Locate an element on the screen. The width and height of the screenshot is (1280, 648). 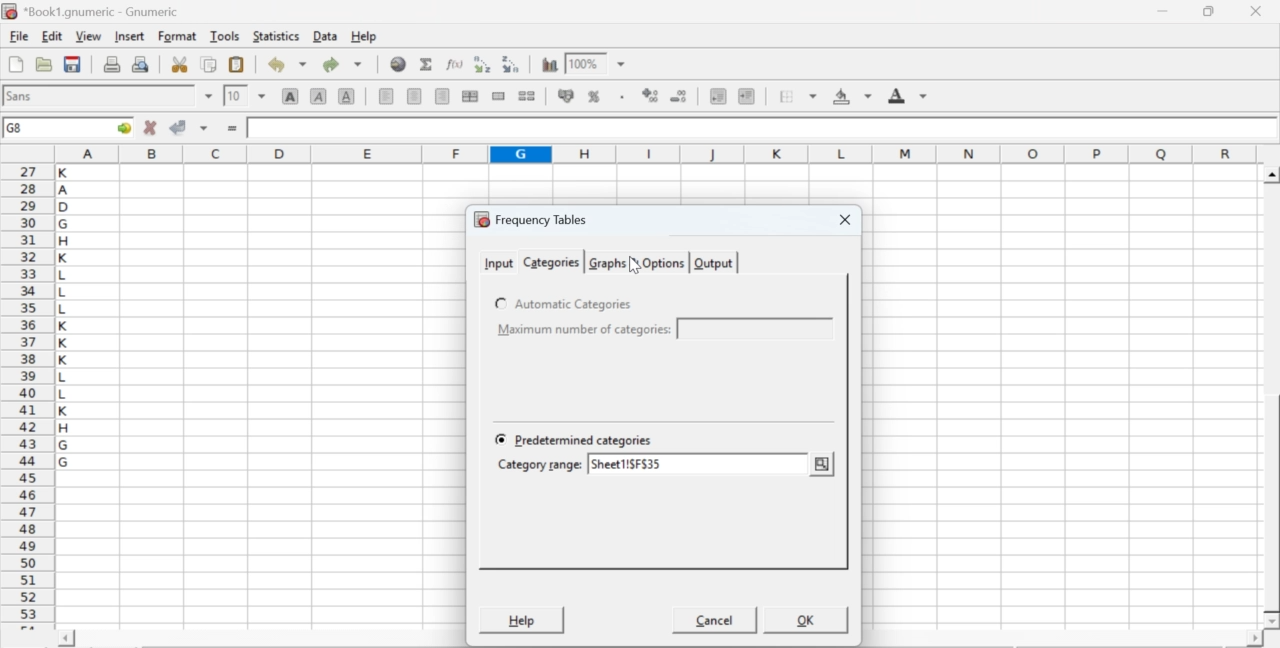
graphs & options is located at coordinates (638, 263).